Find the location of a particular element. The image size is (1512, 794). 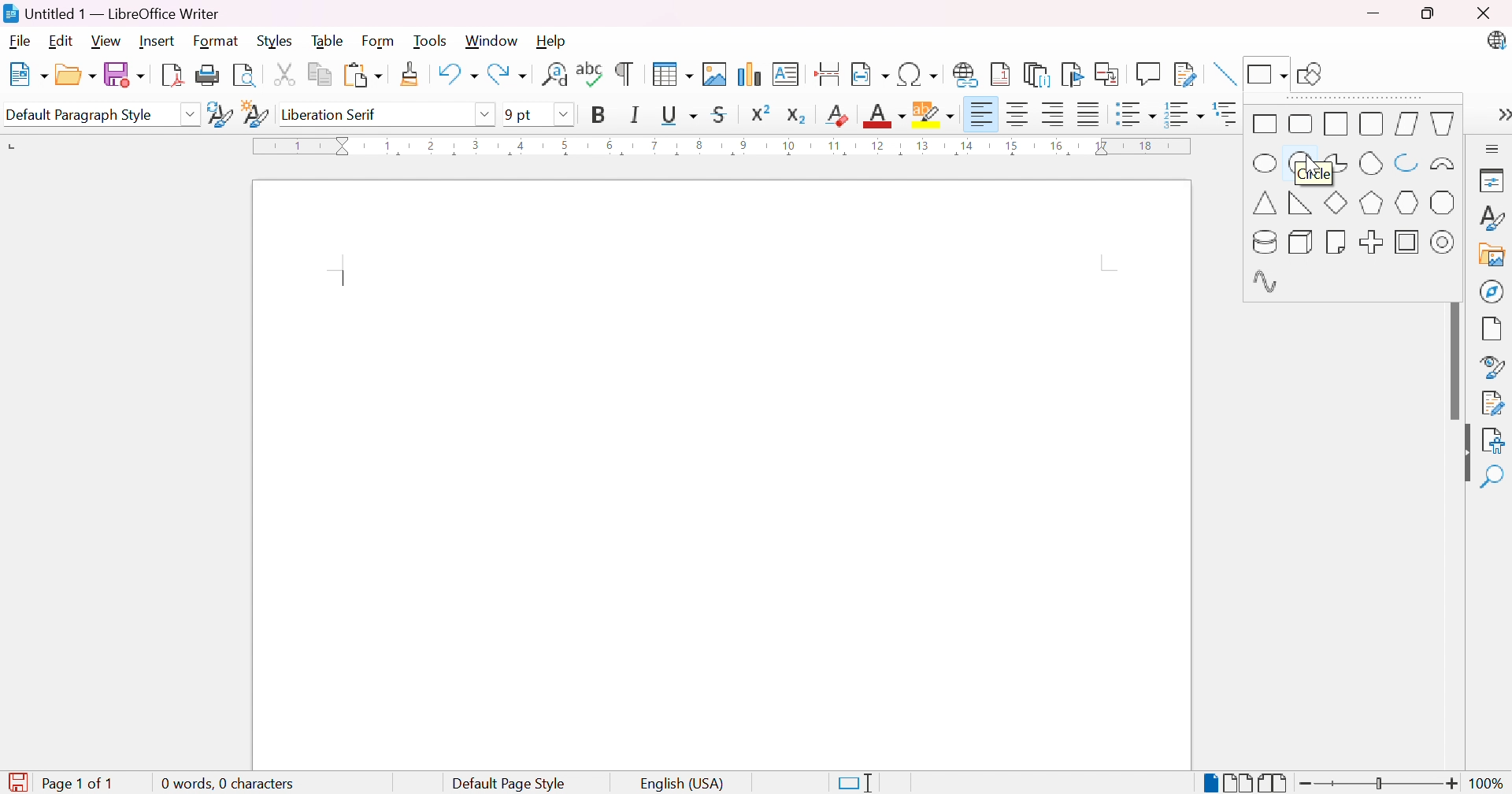

cursor is located at coordinates (1310, 169).